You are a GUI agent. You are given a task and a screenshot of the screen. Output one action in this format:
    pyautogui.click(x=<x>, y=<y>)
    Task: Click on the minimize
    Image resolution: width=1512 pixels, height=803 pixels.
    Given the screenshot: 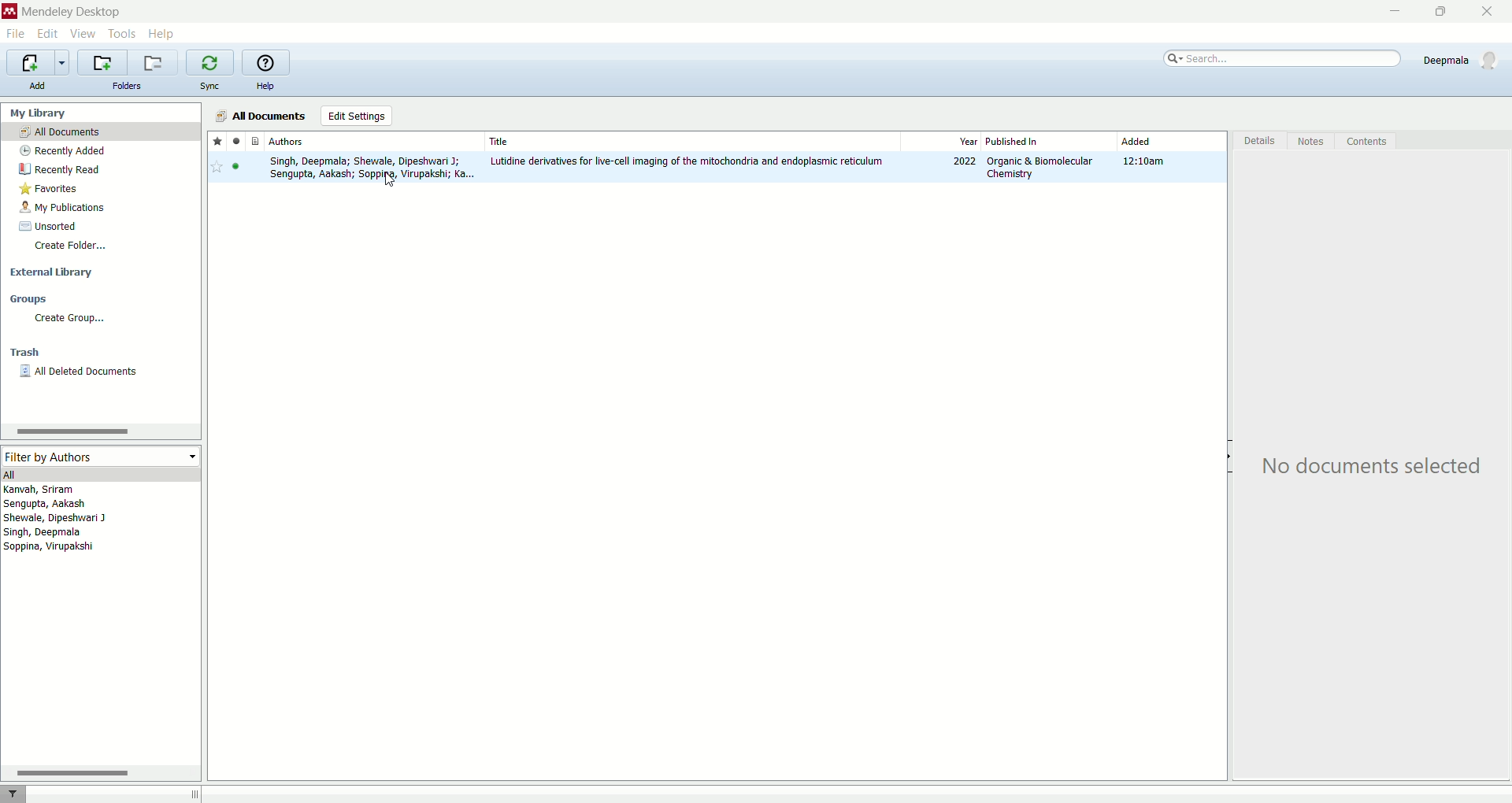 What is the action you would take?
    pyautogui.click(x=1397, y=11)
    